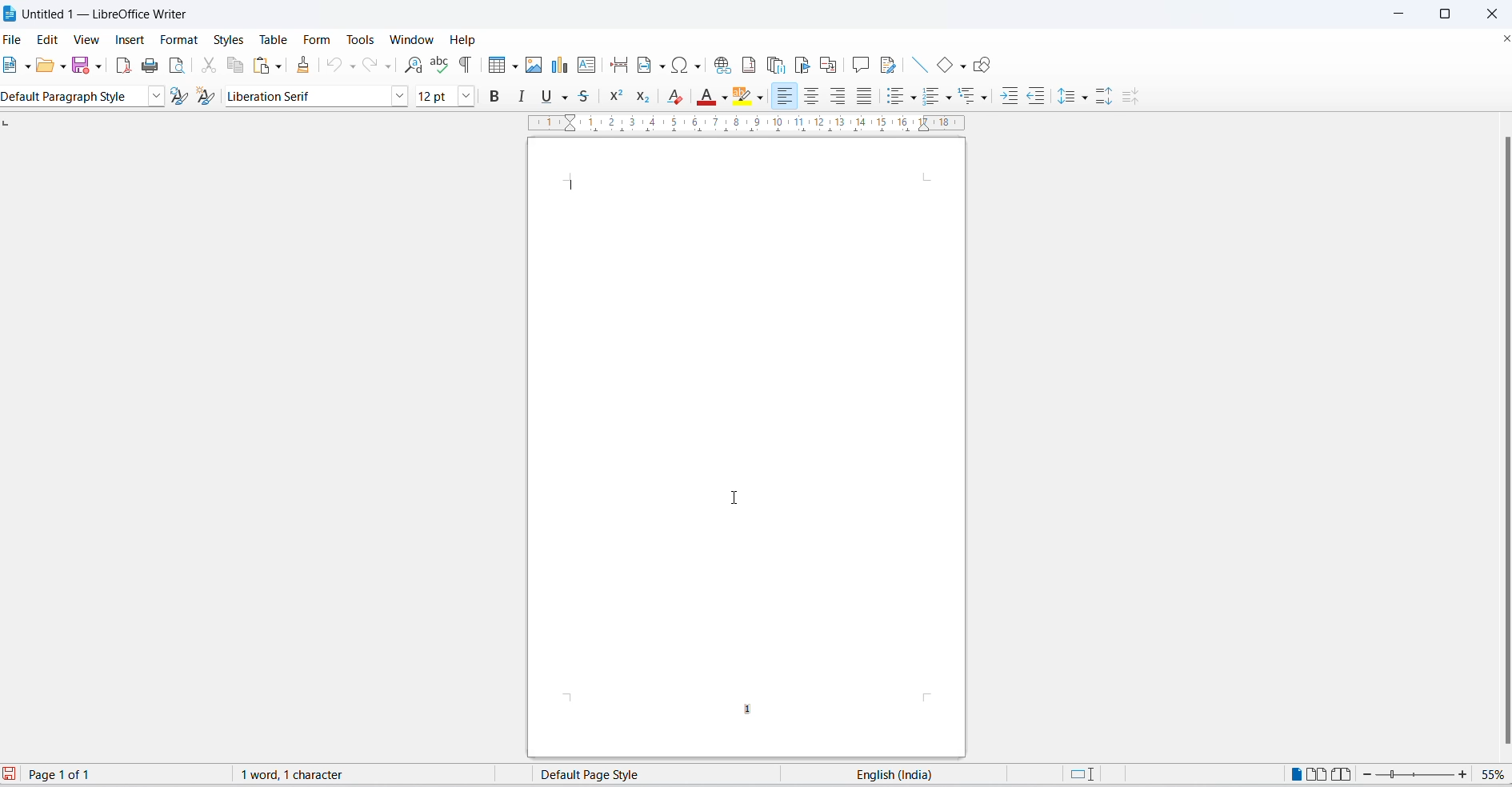 The width and height of the screenshot is (1512, 787). Describe the element at coordinates (50, 38) in the screenshot. I see `edit` at that location.